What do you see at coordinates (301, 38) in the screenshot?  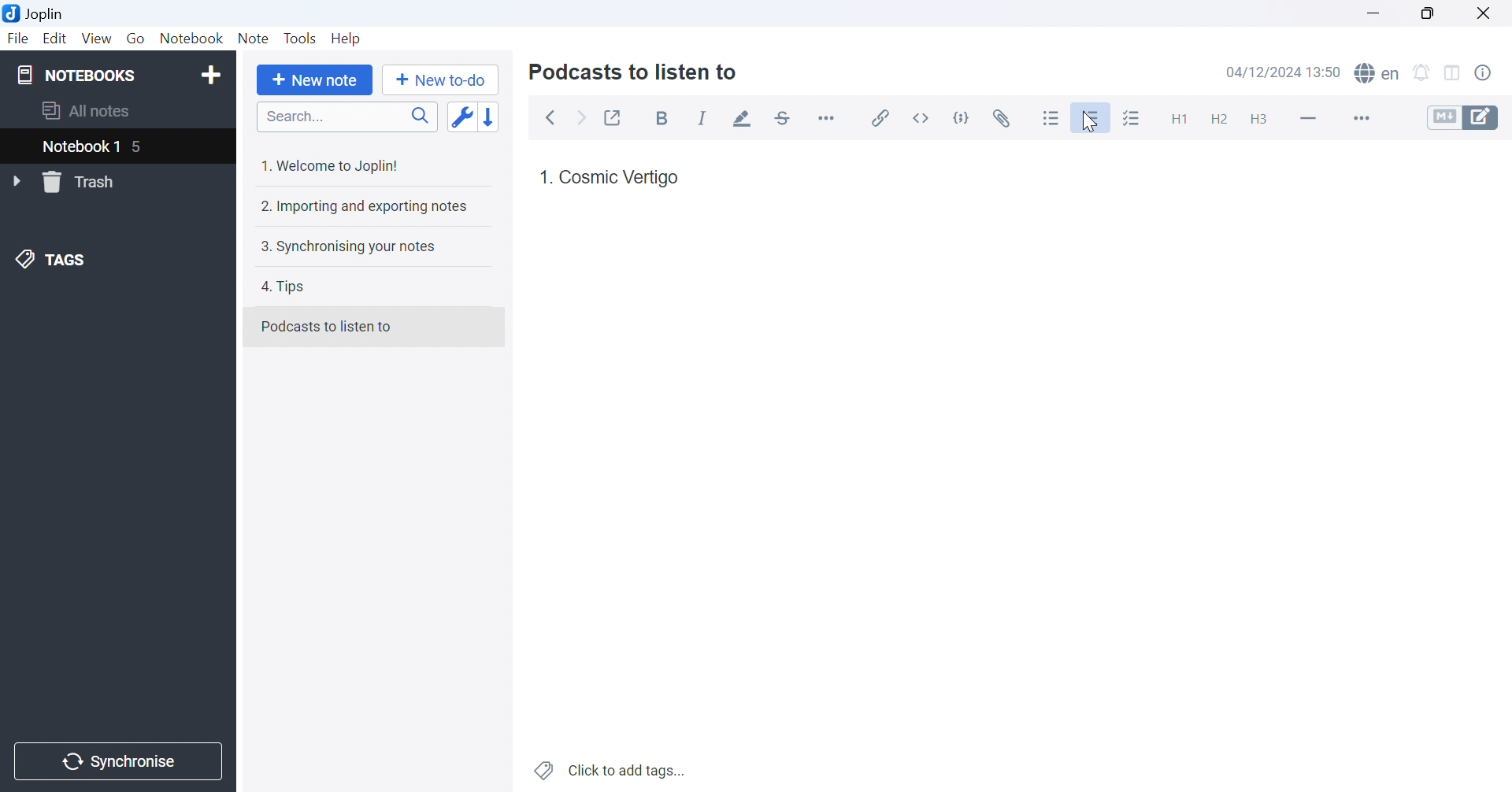 I see `Tools` at bounding box center [301, 38].